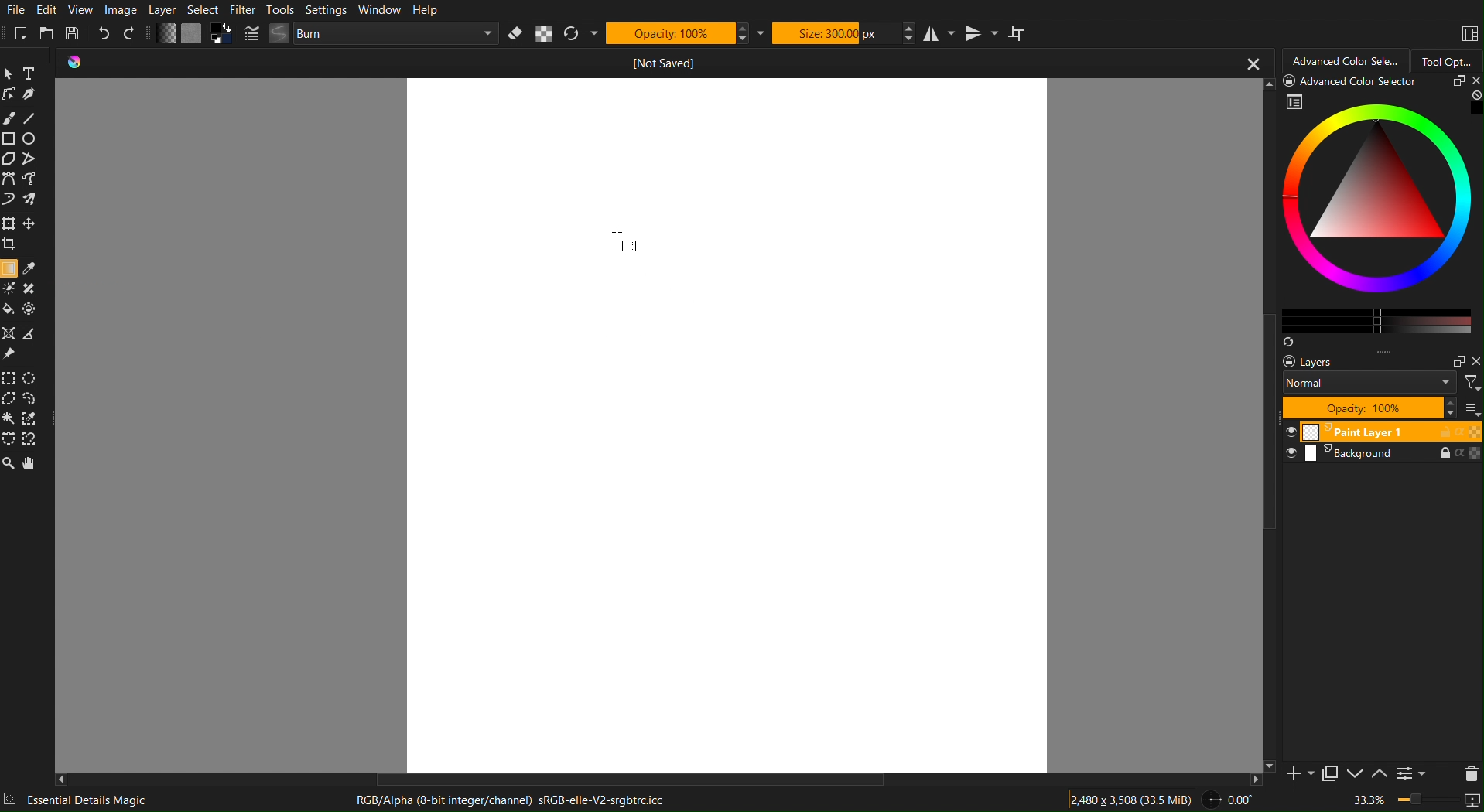 The image size is (1484, 812). What do you see at coordinates (22, 342) in the screenshot?
I see `Ruler Tools` at bounding box center [22, 342].